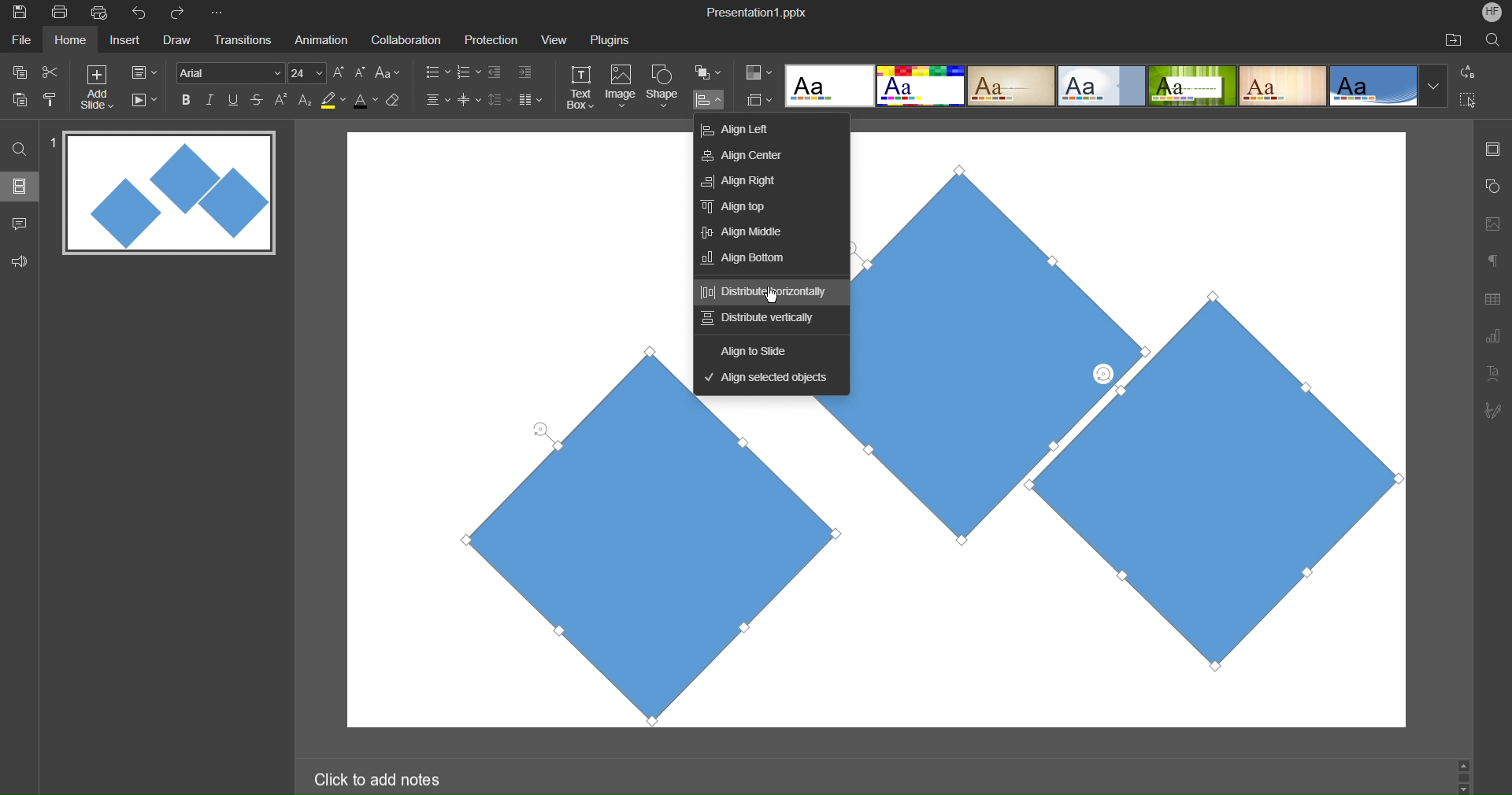 Image resolution: width=1512 pixels, height=795 pixels. Describe the element at coordinates (388, 72) in the screenshot. I see `Font Case Settings` at that location.